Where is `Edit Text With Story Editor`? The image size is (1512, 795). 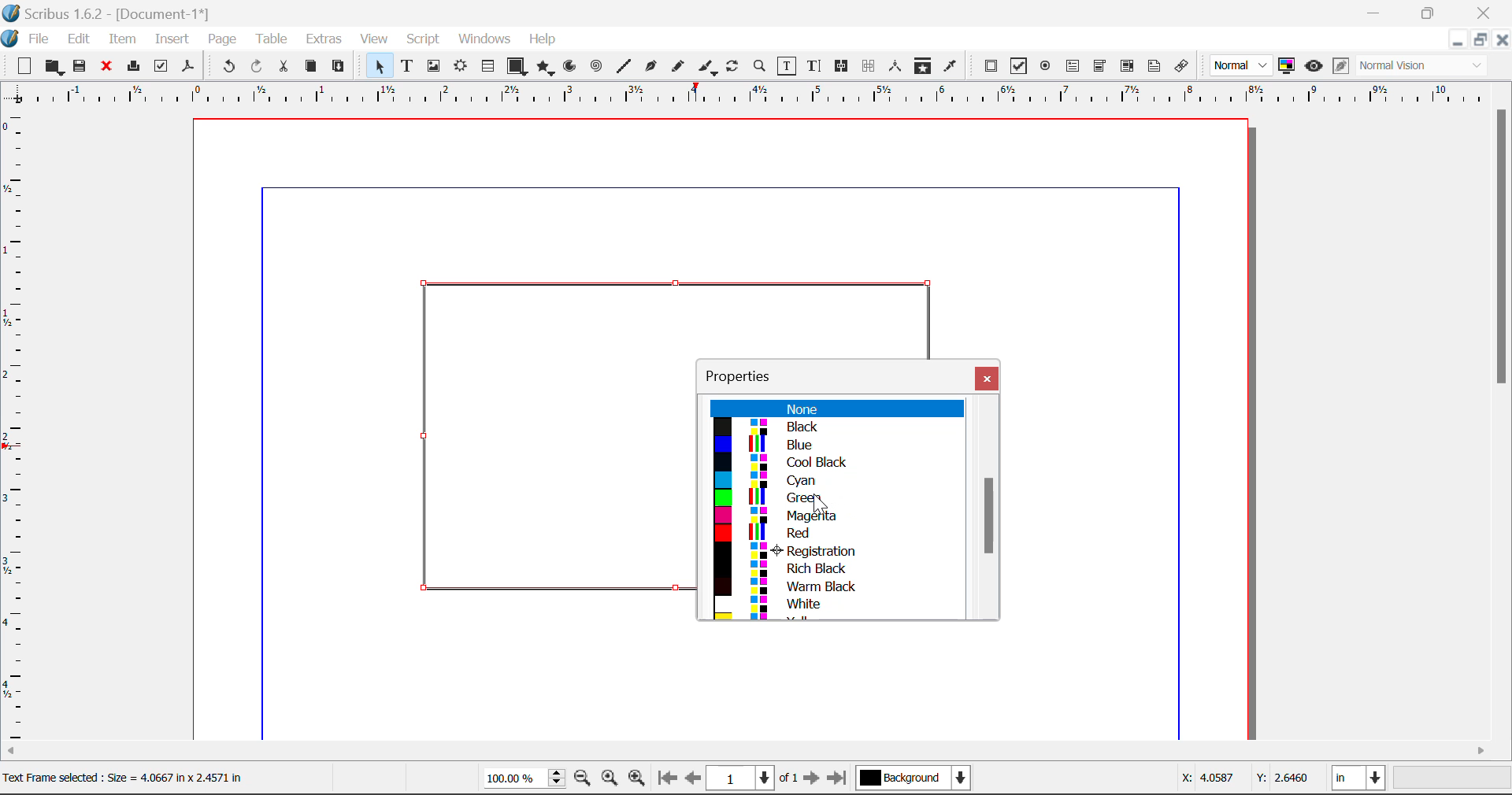 Edit Text With Story Editor is located at coordinates (813, 67).